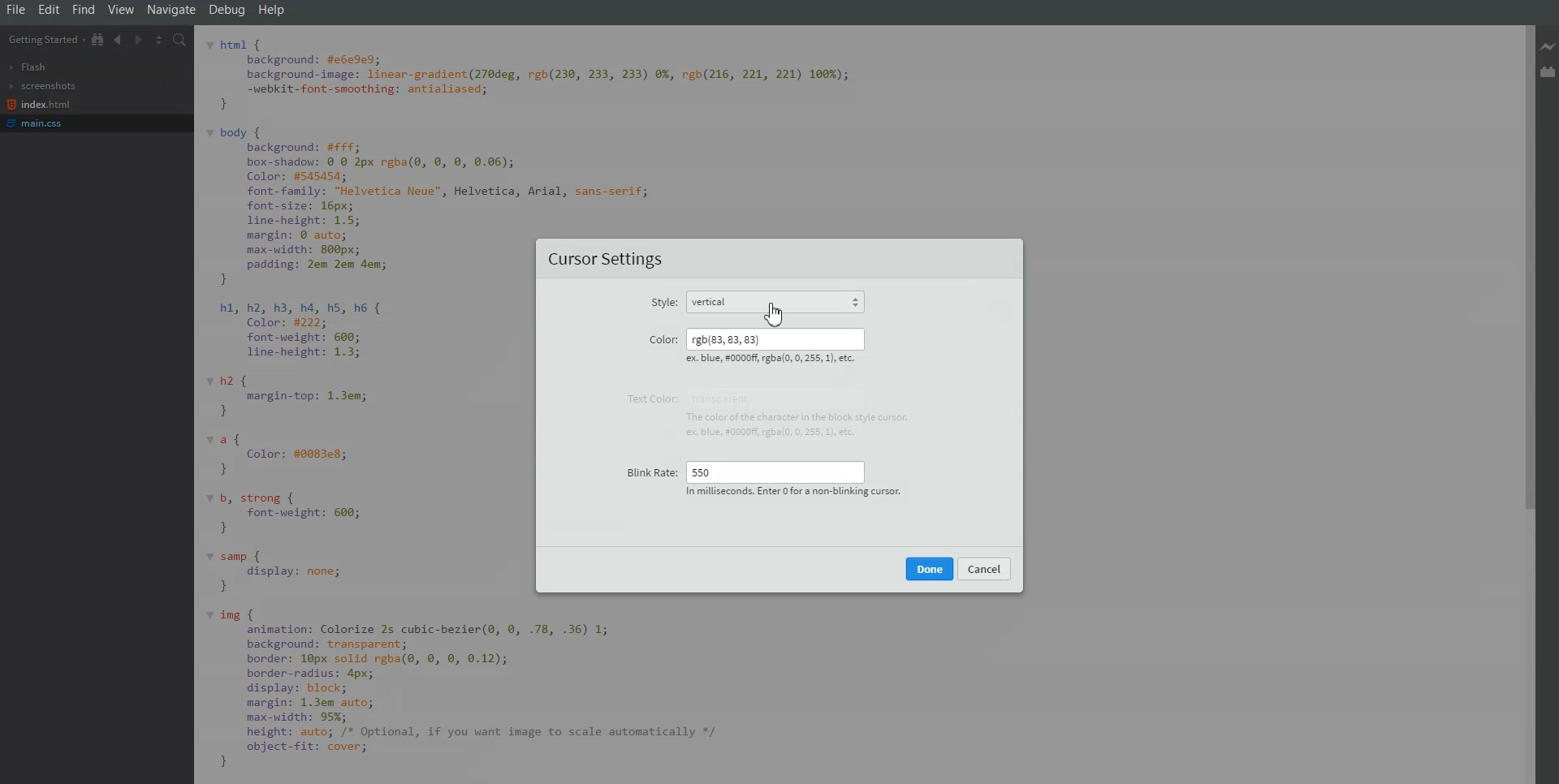 This screenshot has height=784, width=1559. Describe the element at coordinates (771, 361) in the screenshot. I see `ex. blue, #0000ff, rgba(0,0,255,1), etx.` at that location.